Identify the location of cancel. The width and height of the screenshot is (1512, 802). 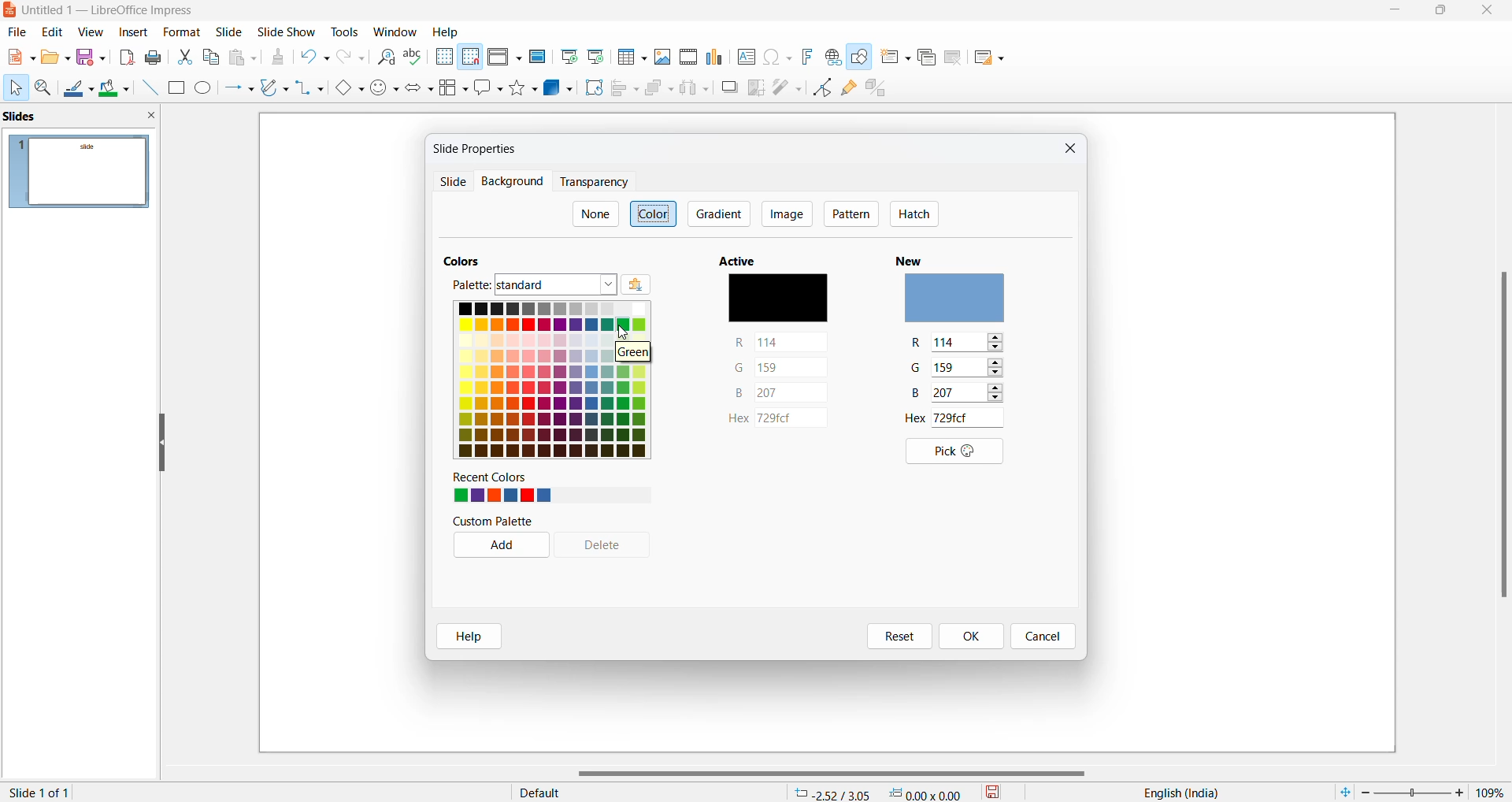
(1043, 637).